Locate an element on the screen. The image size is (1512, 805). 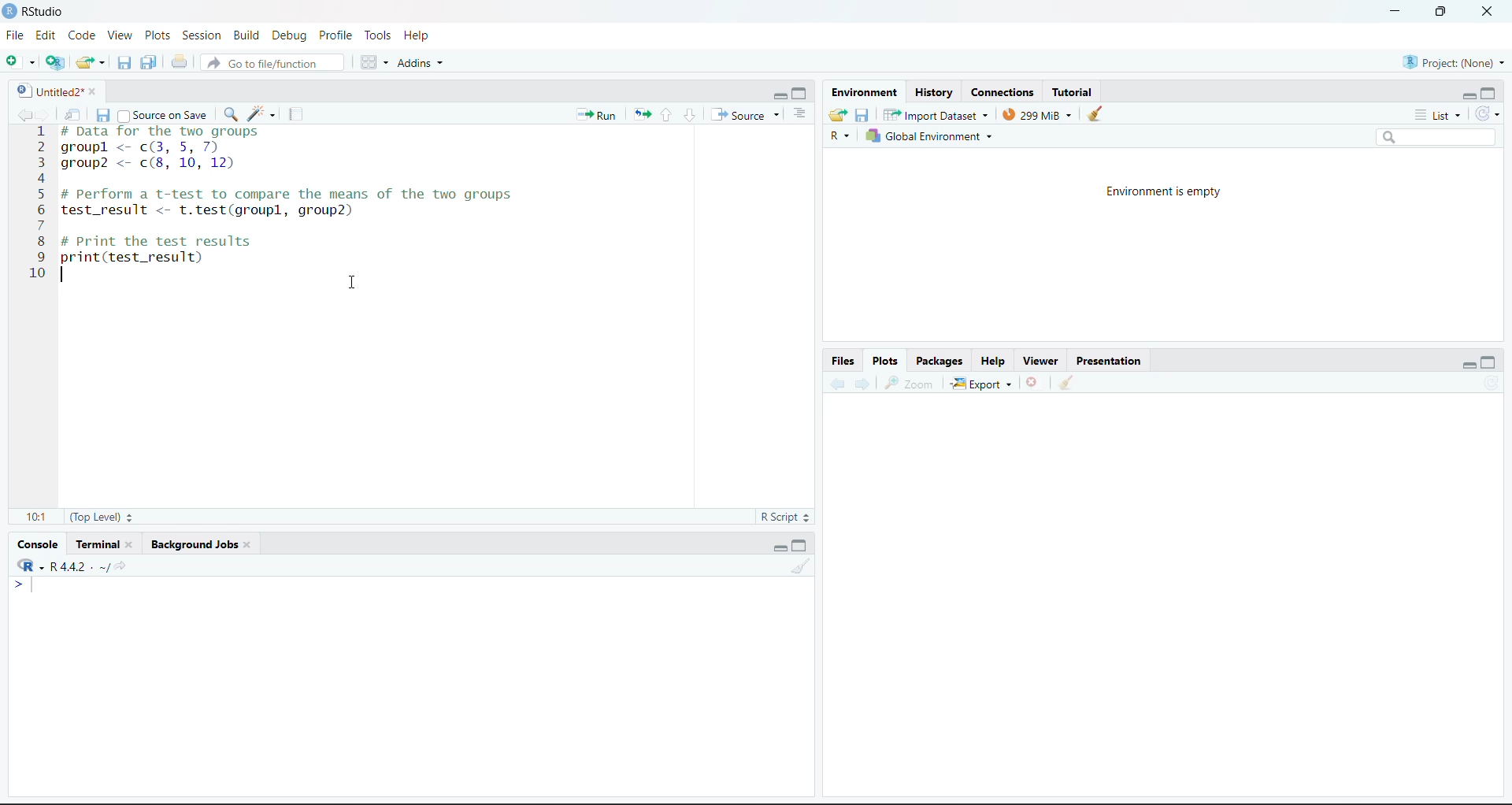
Debug is located at coordinates (290, 35).